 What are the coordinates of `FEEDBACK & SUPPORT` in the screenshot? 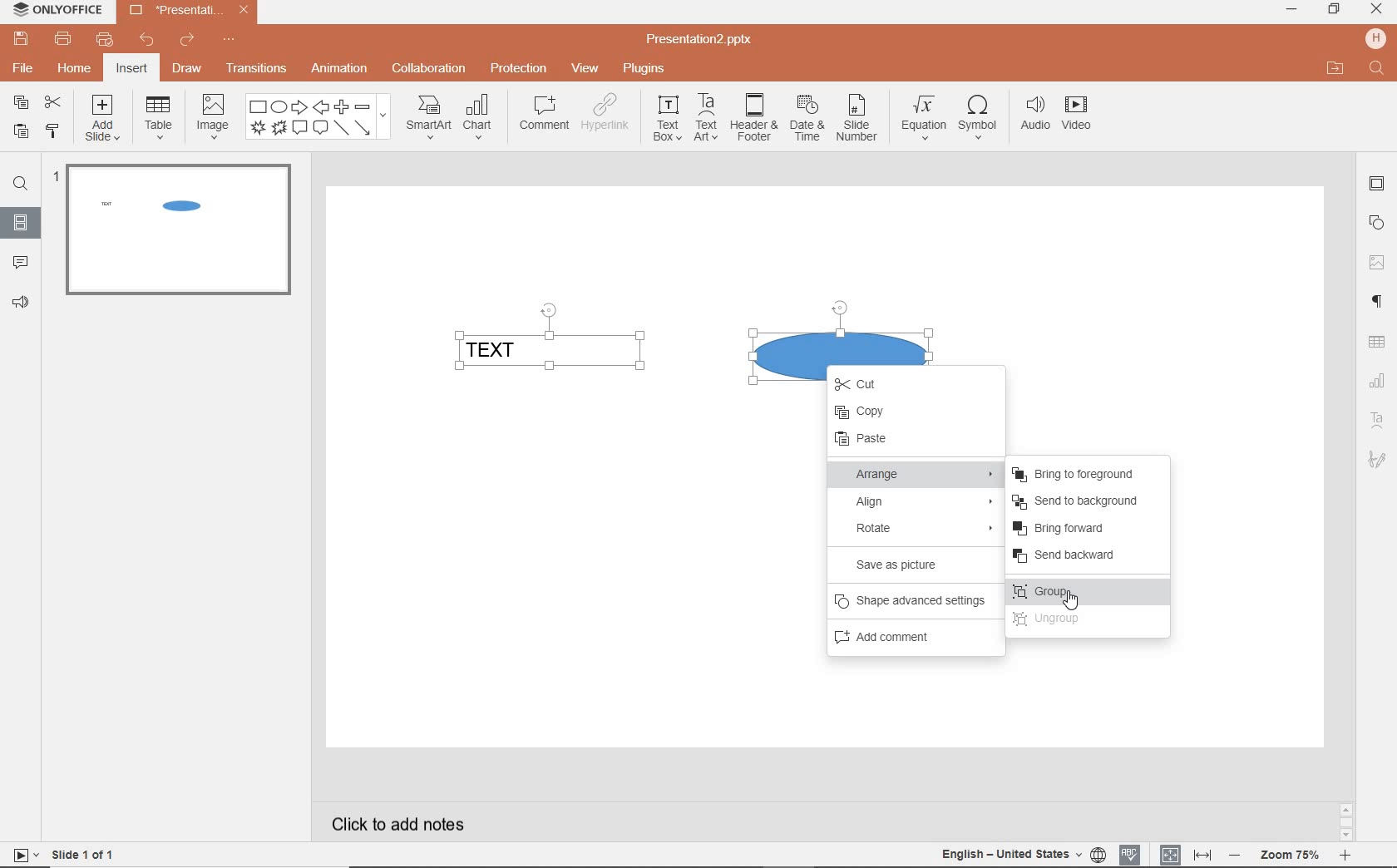 It's located at (20, 302).